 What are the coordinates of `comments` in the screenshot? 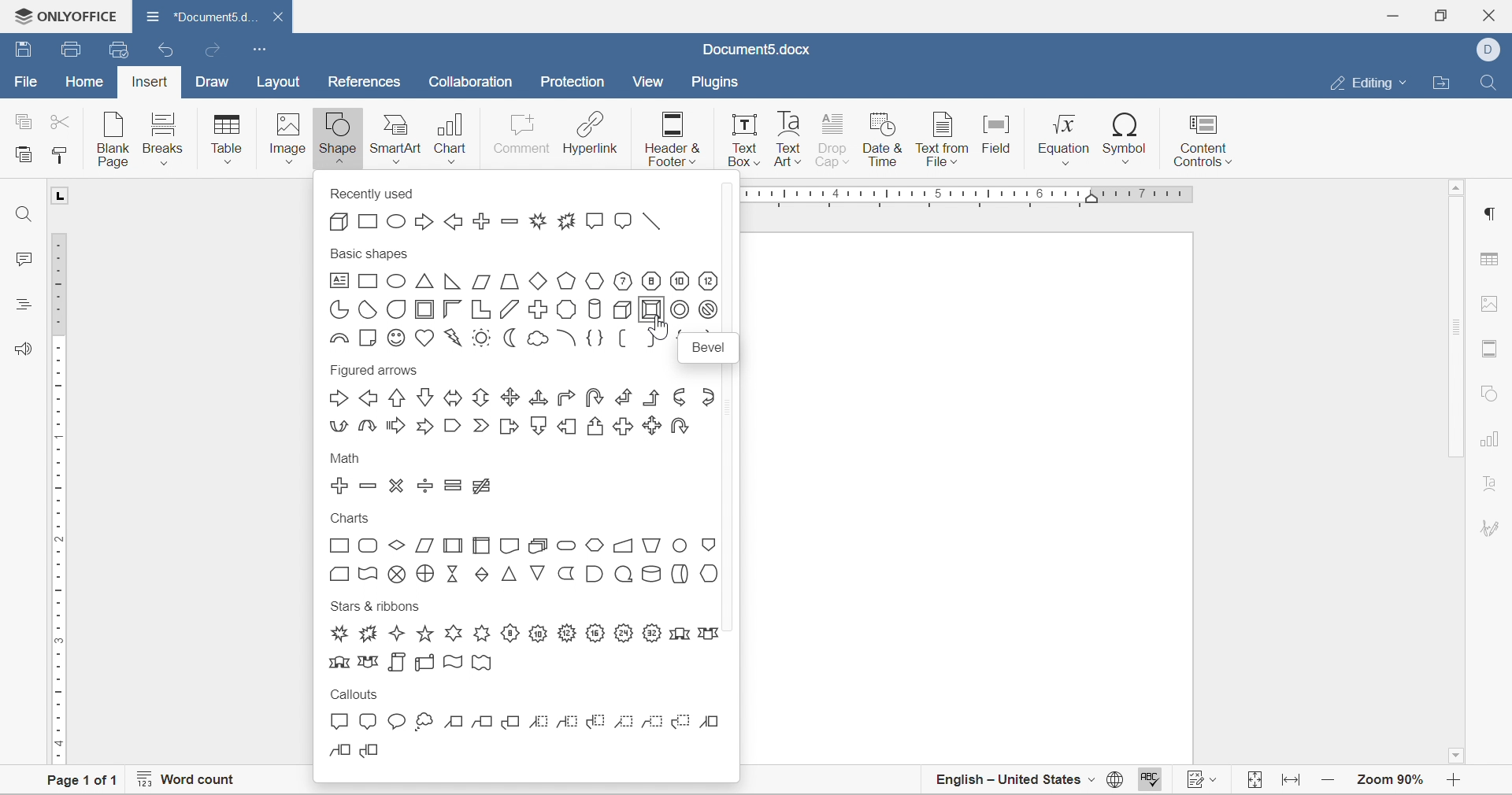 It's located at (24, 261).